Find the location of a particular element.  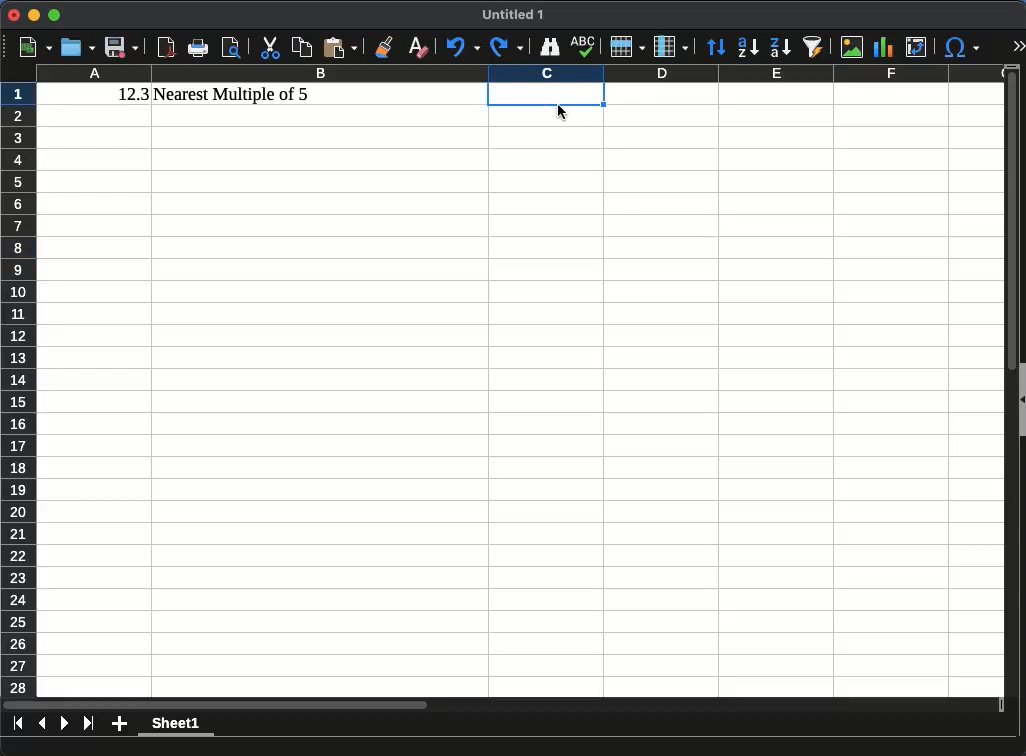

first sheet is located at coordinates (20, 723).